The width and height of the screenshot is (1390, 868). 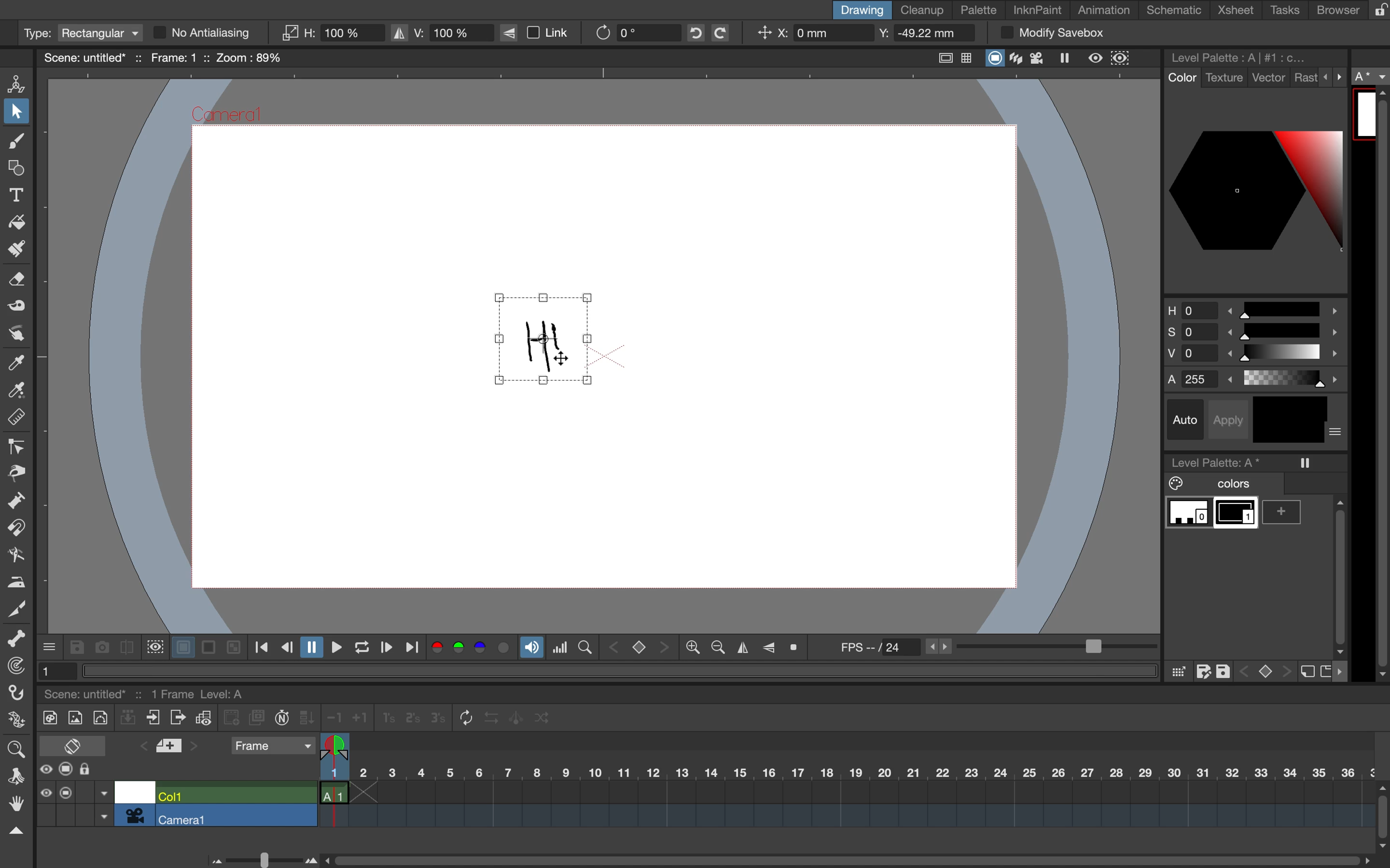 I want to click on switch between keys, so click(x=1264, y=670).